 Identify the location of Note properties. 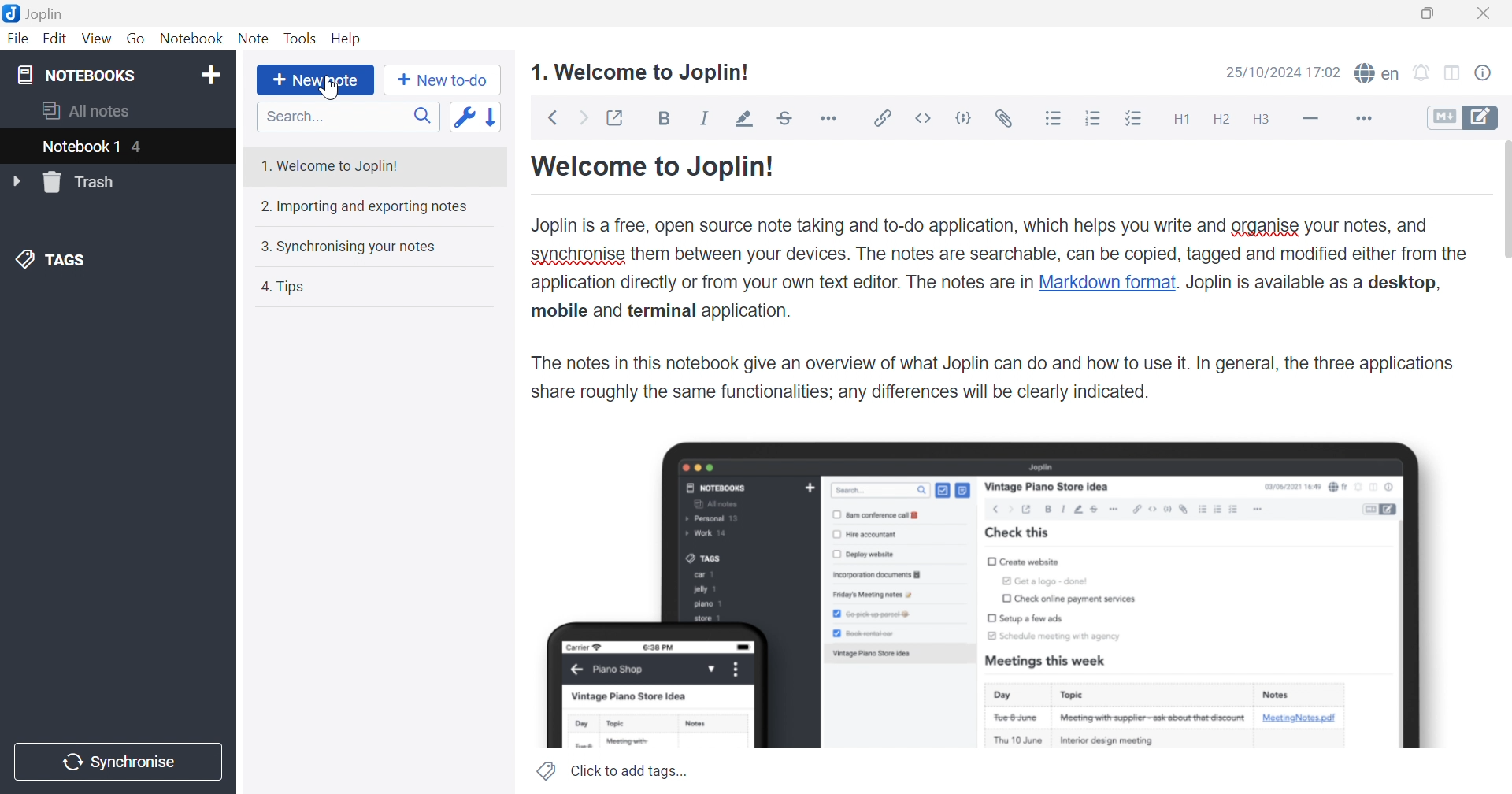
(1492, 72).